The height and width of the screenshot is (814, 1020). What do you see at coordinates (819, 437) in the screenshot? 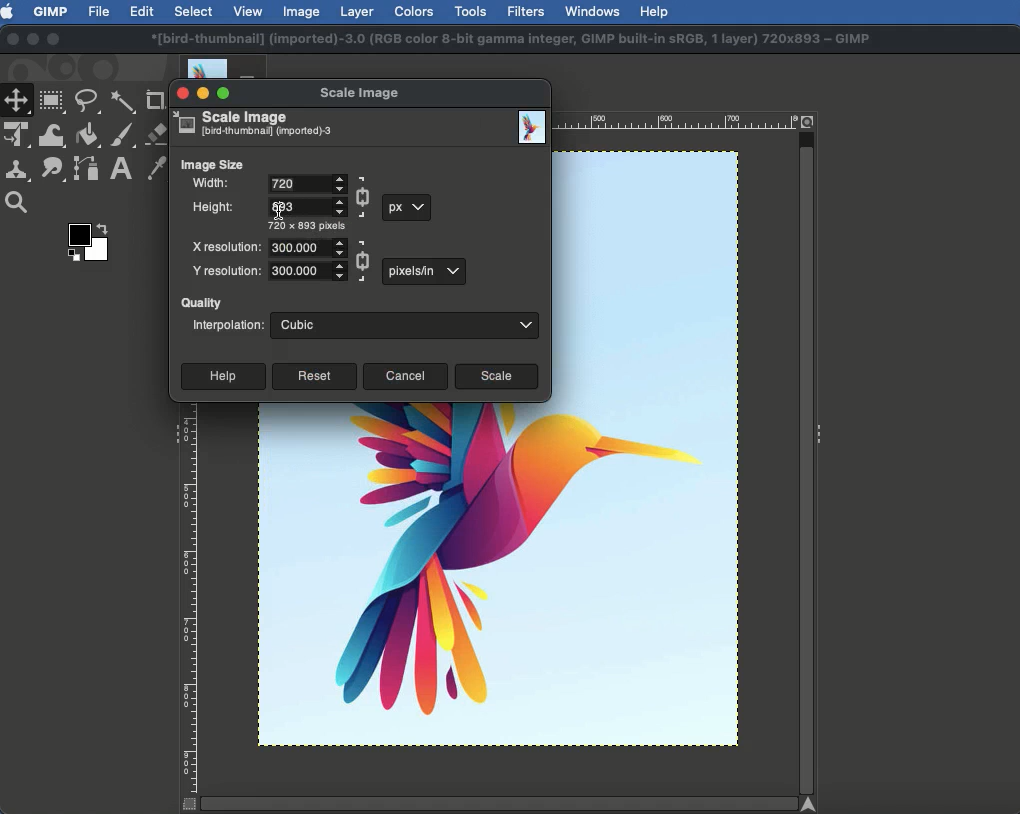
I see `Collapse` at bounding box center [819, 437].